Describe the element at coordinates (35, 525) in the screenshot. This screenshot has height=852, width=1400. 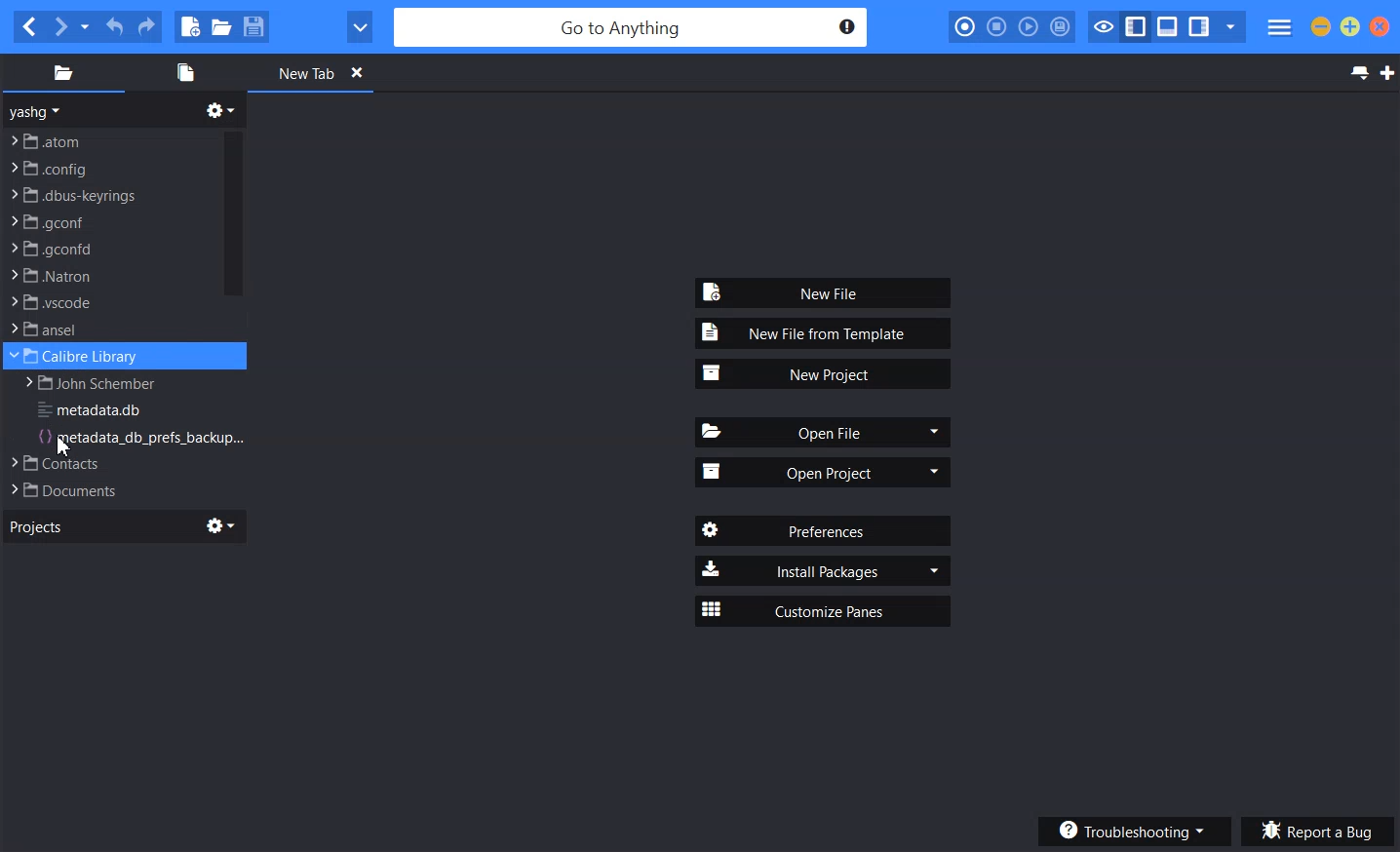
I see `Projects` at that location.